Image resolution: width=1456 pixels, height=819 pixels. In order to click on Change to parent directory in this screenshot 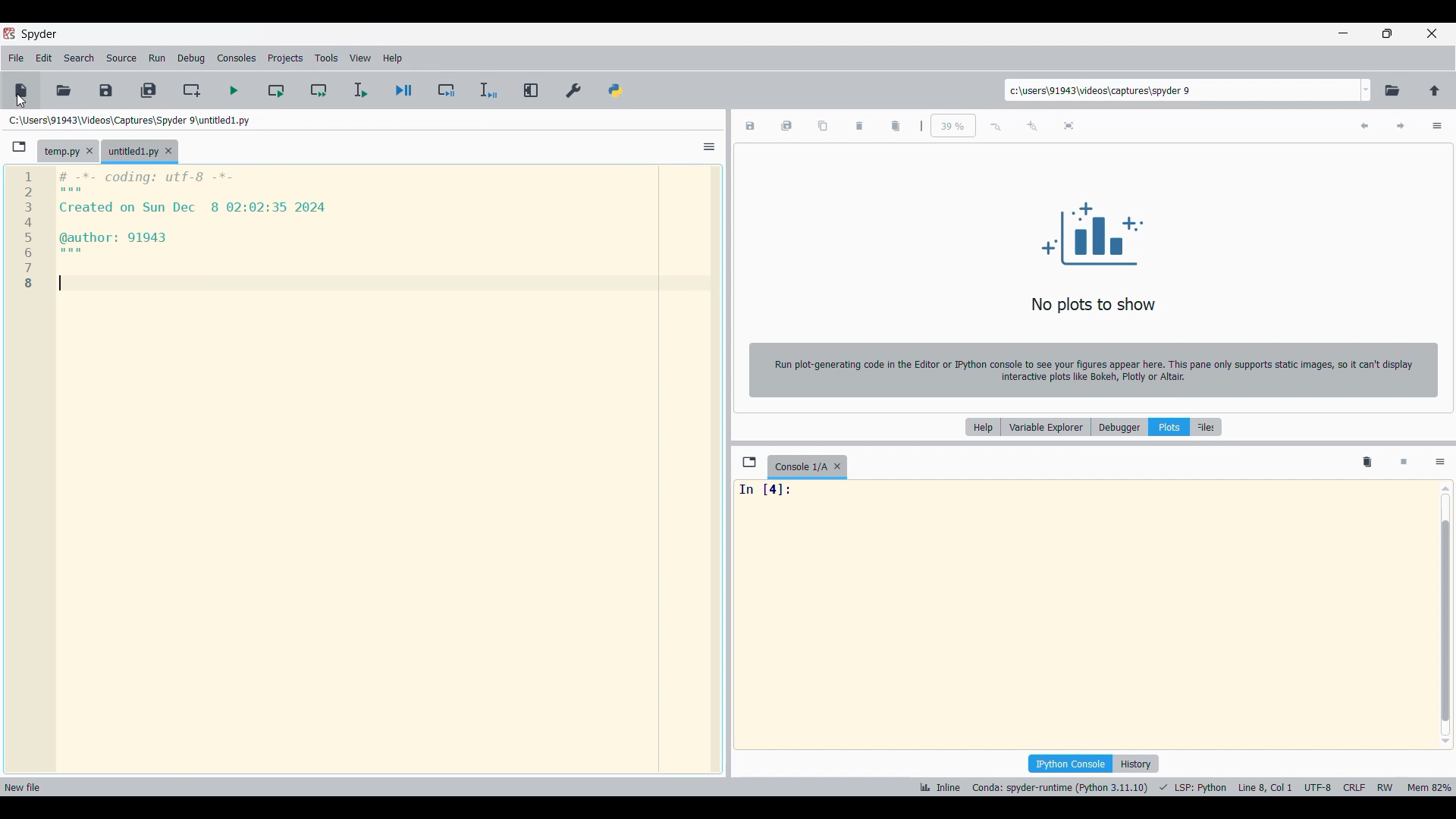, I will do `click(1435, 91)`.